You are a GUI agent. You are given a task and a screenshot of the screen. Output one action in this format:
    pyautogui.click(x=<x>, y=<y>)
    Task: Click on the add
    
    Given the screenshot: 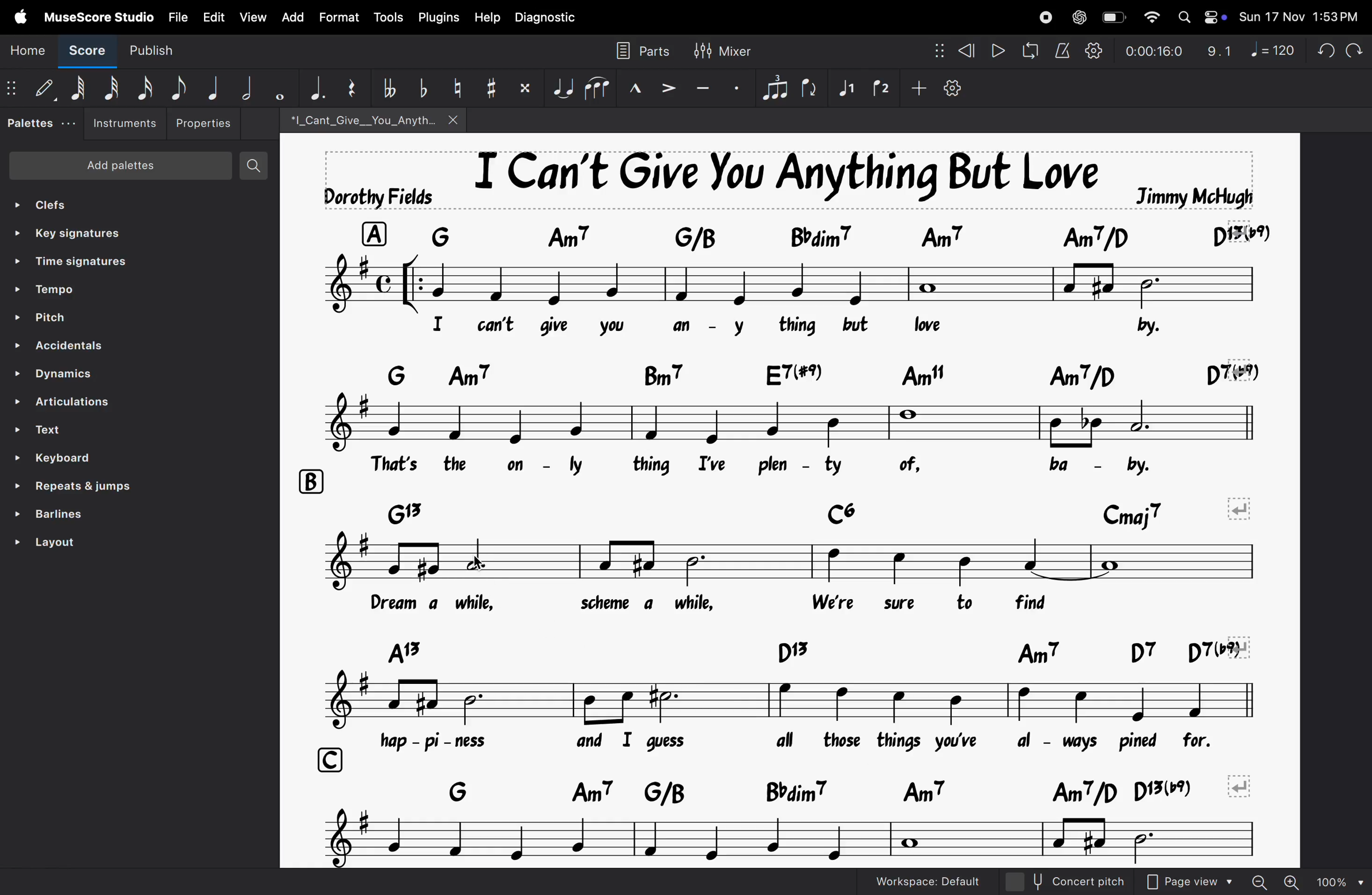 What is the action you would take?
    pyautogui.click(x=919, y=89)
    